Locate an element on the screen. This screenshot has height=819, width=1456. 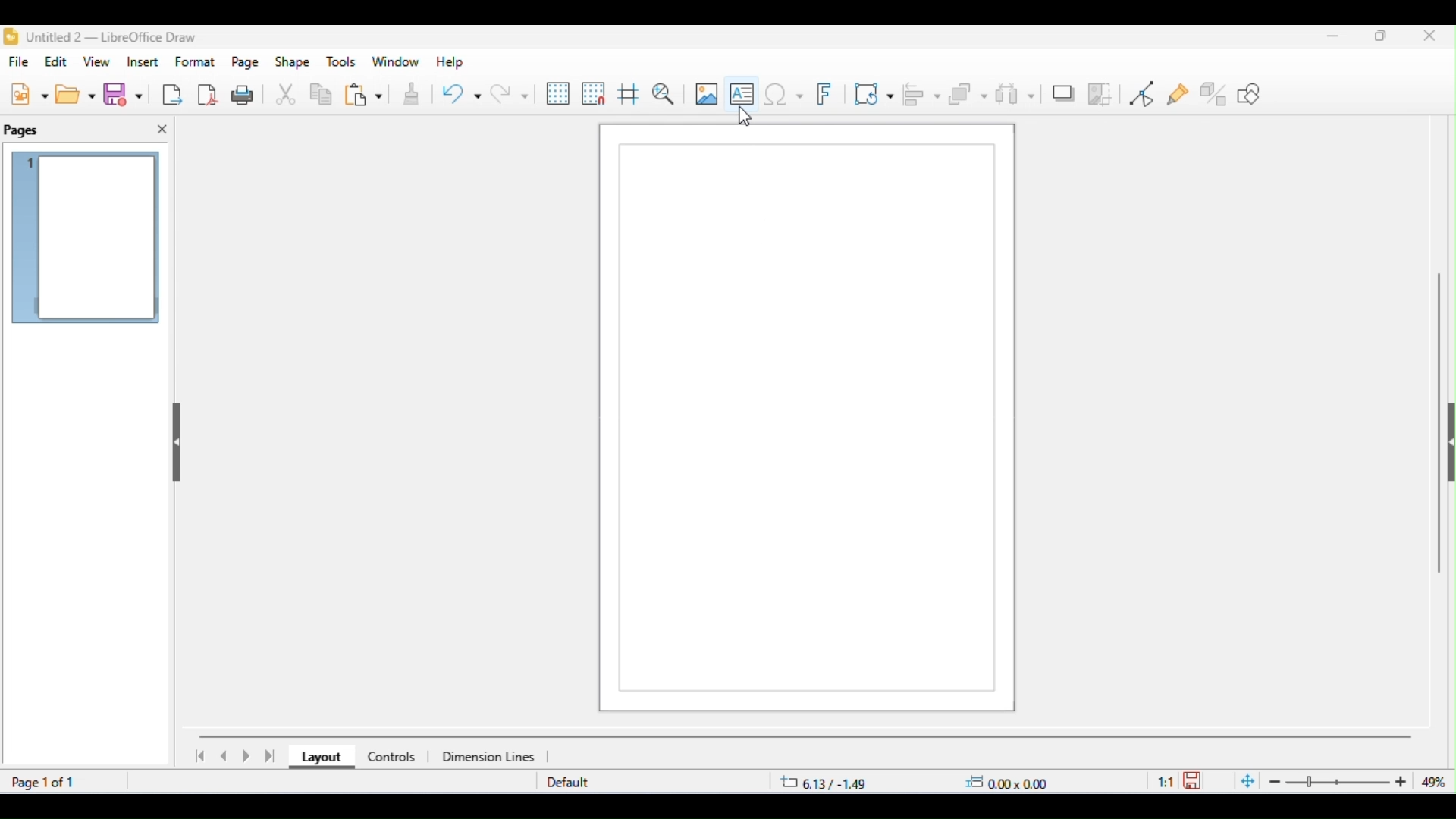
shadow is located at coordinates (1063, 92).